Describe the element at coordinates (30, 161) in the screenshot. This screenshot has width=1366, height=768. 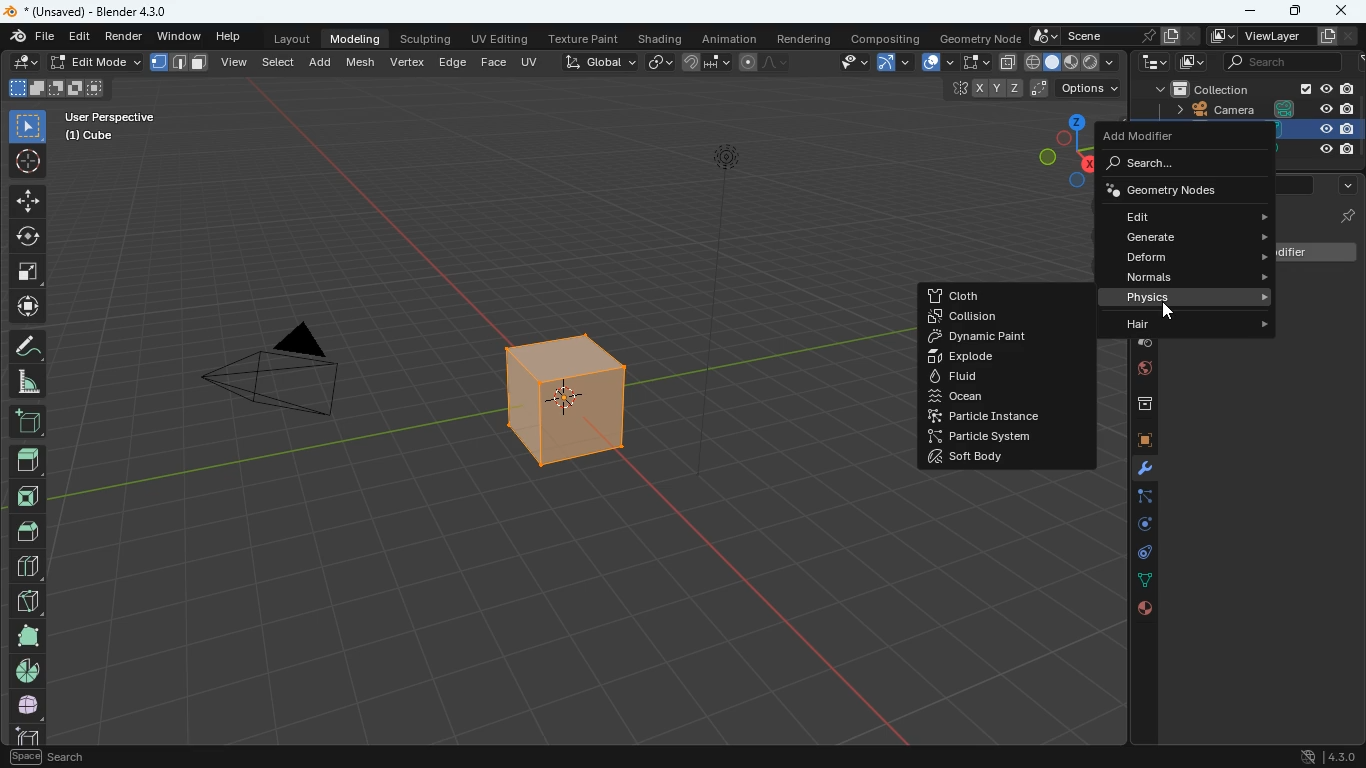
I see `aim` at that location.